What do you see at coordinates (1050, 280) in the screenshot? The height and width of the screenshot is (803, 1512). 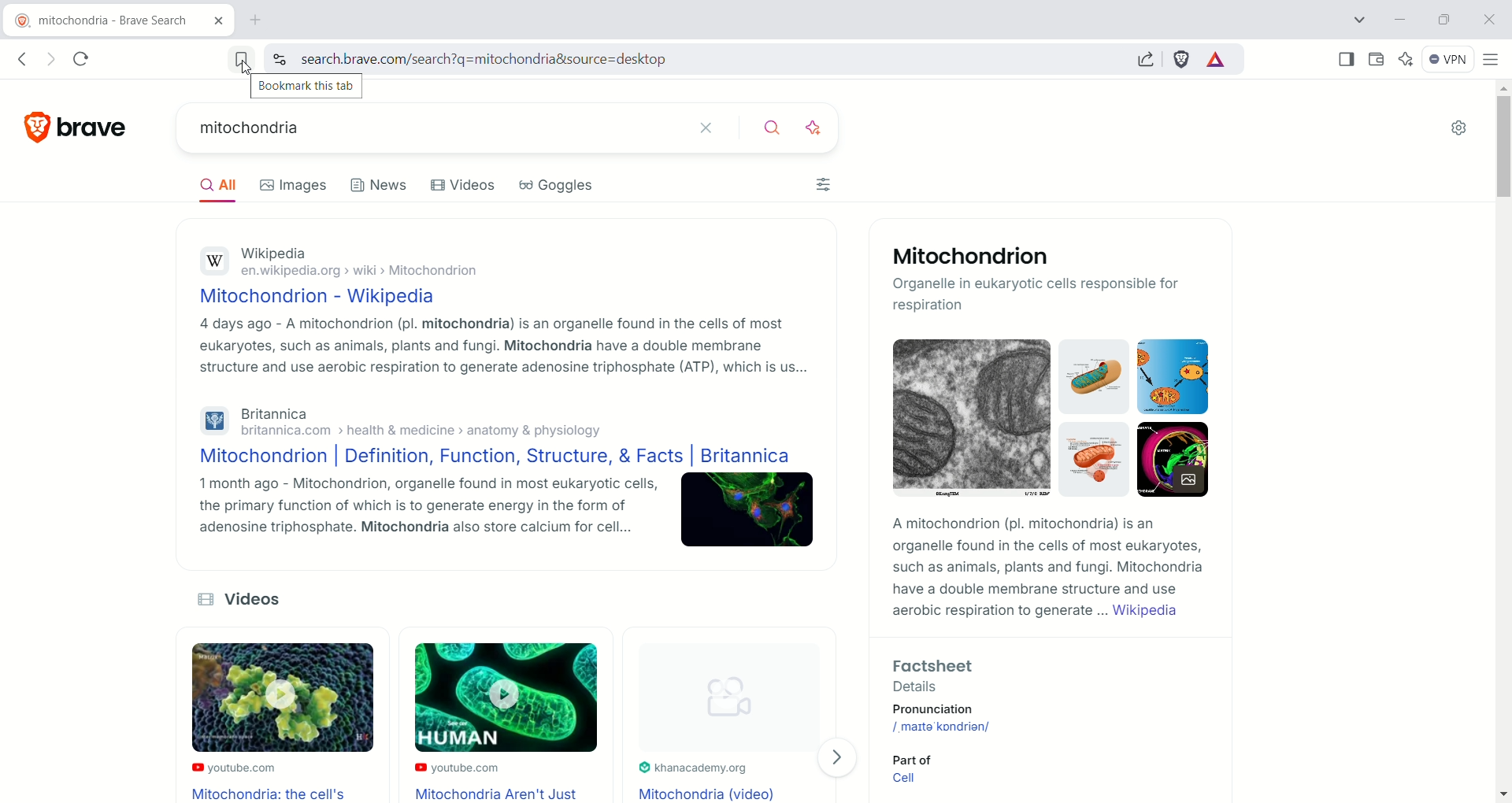 I see `Mitochondrion -Organelle in eukaryotic cells responsible for respiration` at bounding box center [1050, 280].